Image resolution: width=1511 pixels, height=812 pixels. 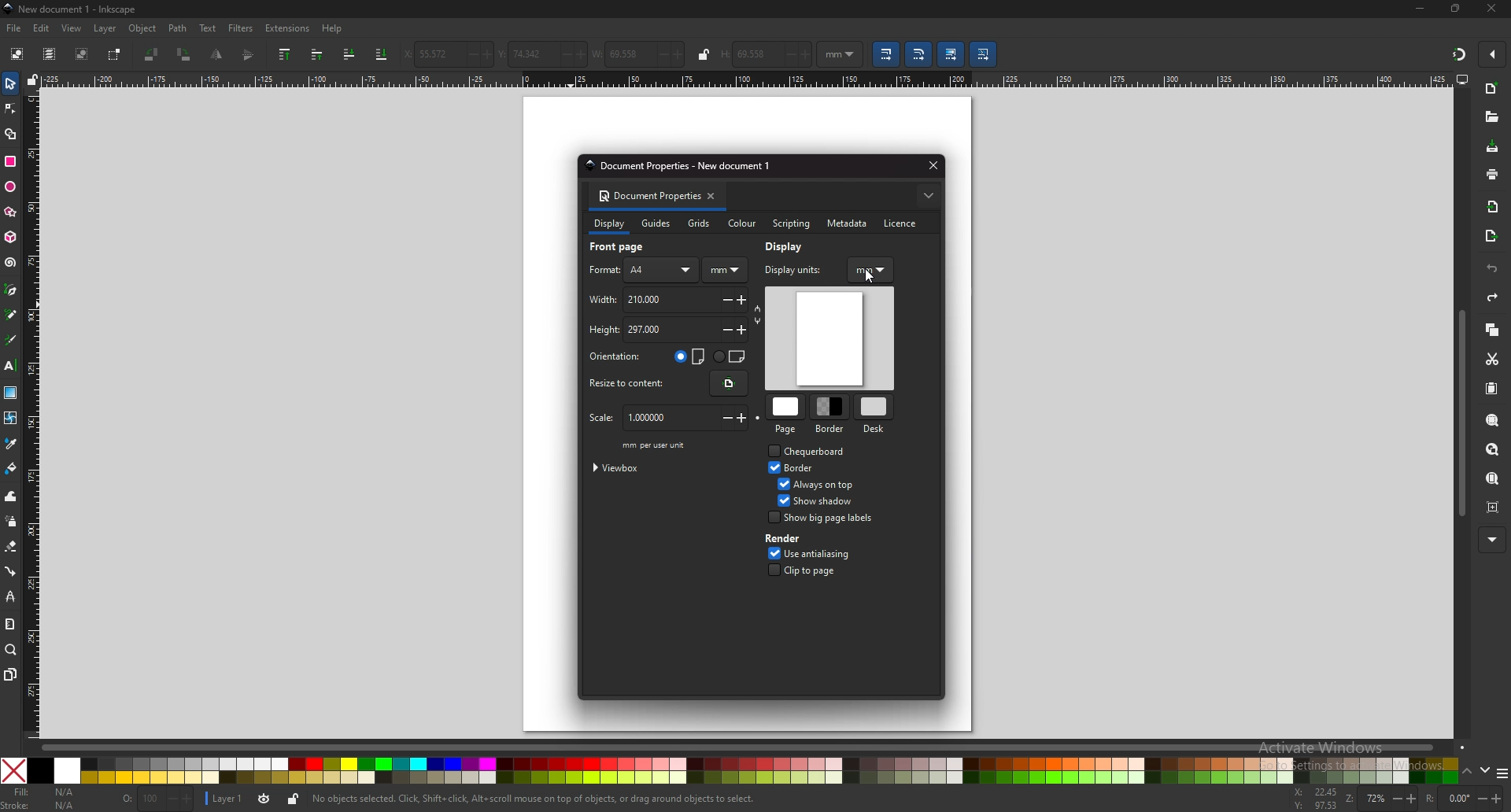 I want to click on dropper, so click(x=12, y=443).